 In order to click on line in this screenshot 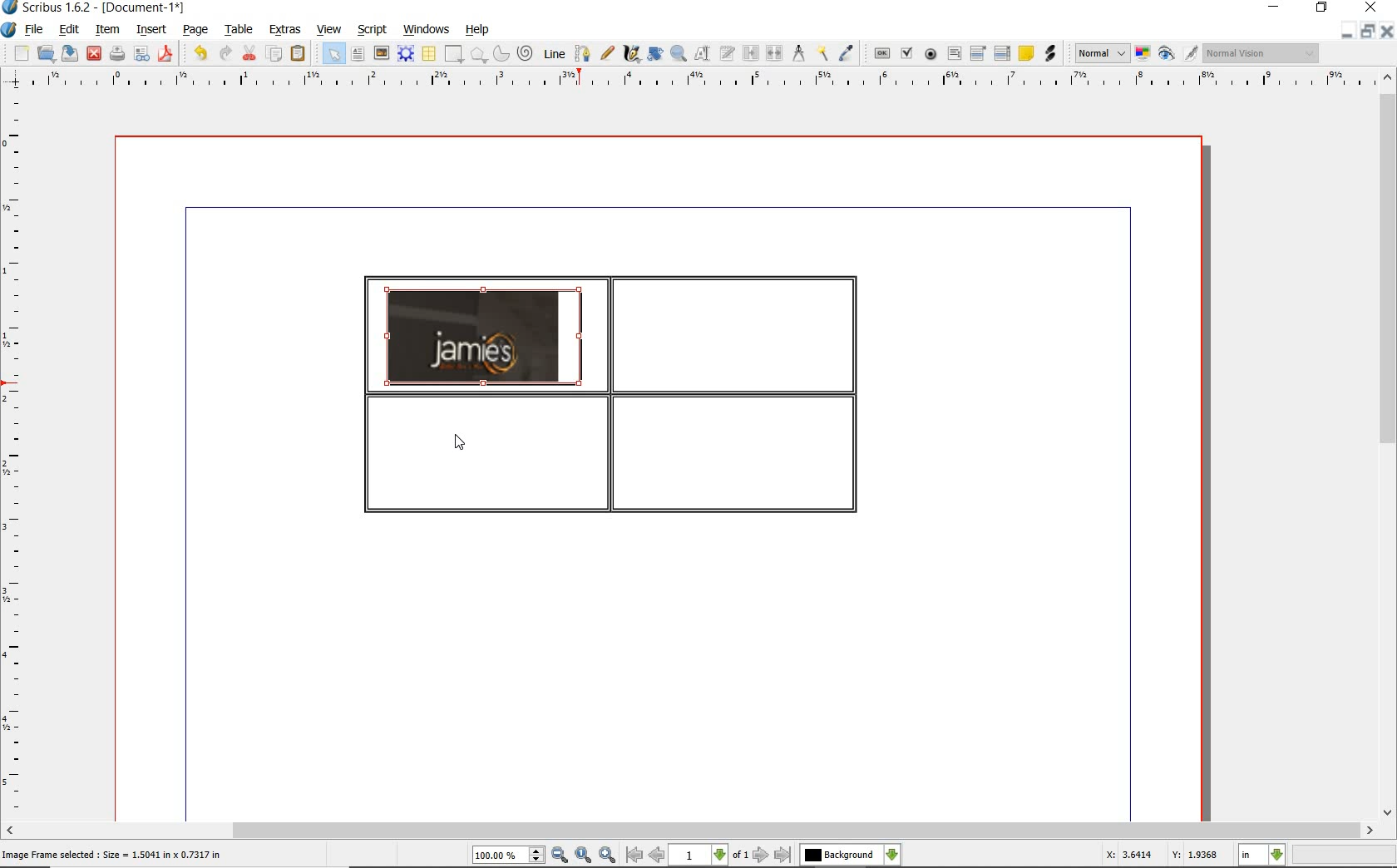, I will do `click(555, 52)`.